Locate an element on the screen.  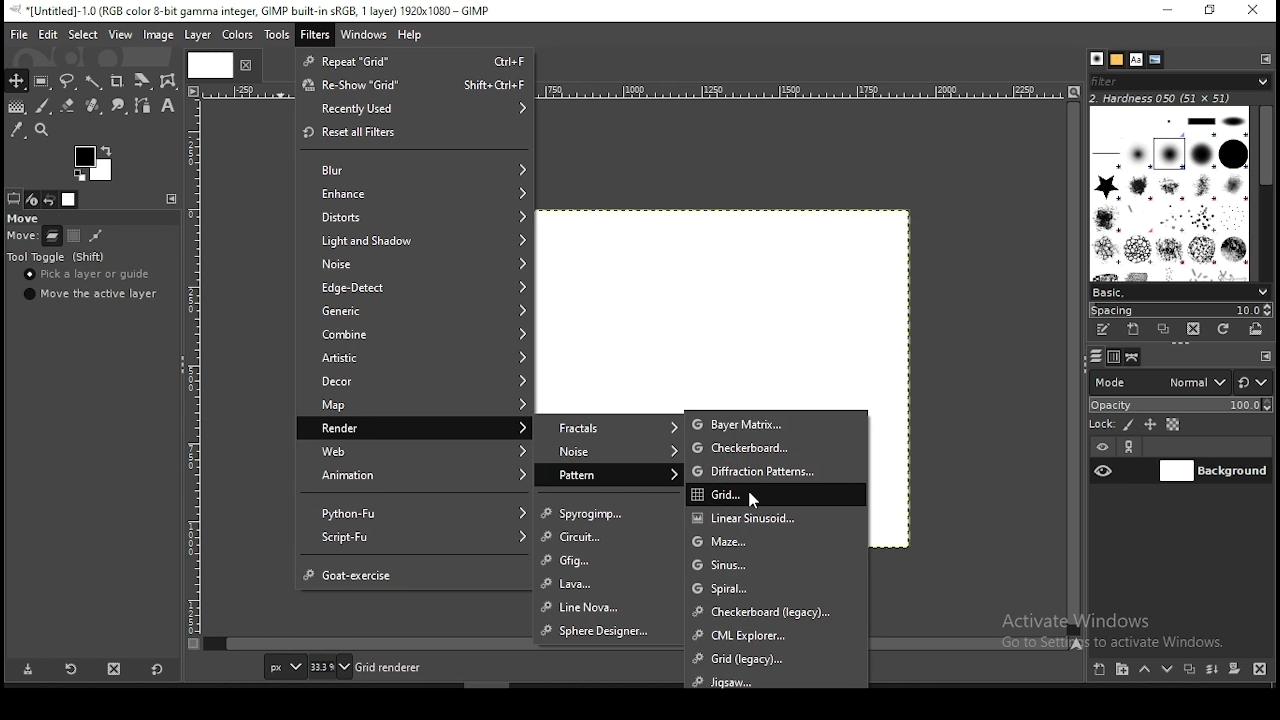
layer is located at coordinates (1214, 471).